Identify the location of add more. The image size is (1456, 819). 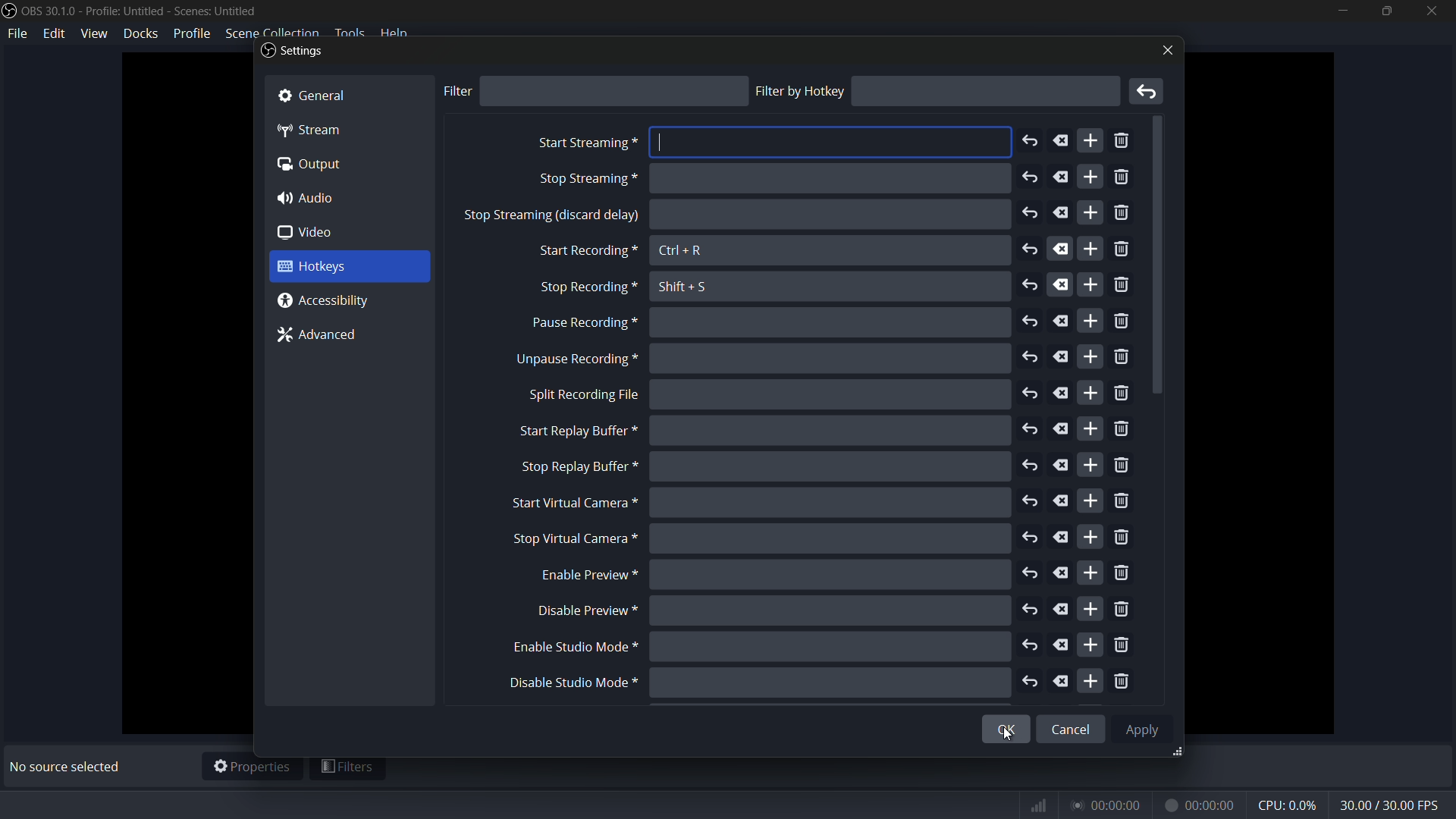
(1090, 213).